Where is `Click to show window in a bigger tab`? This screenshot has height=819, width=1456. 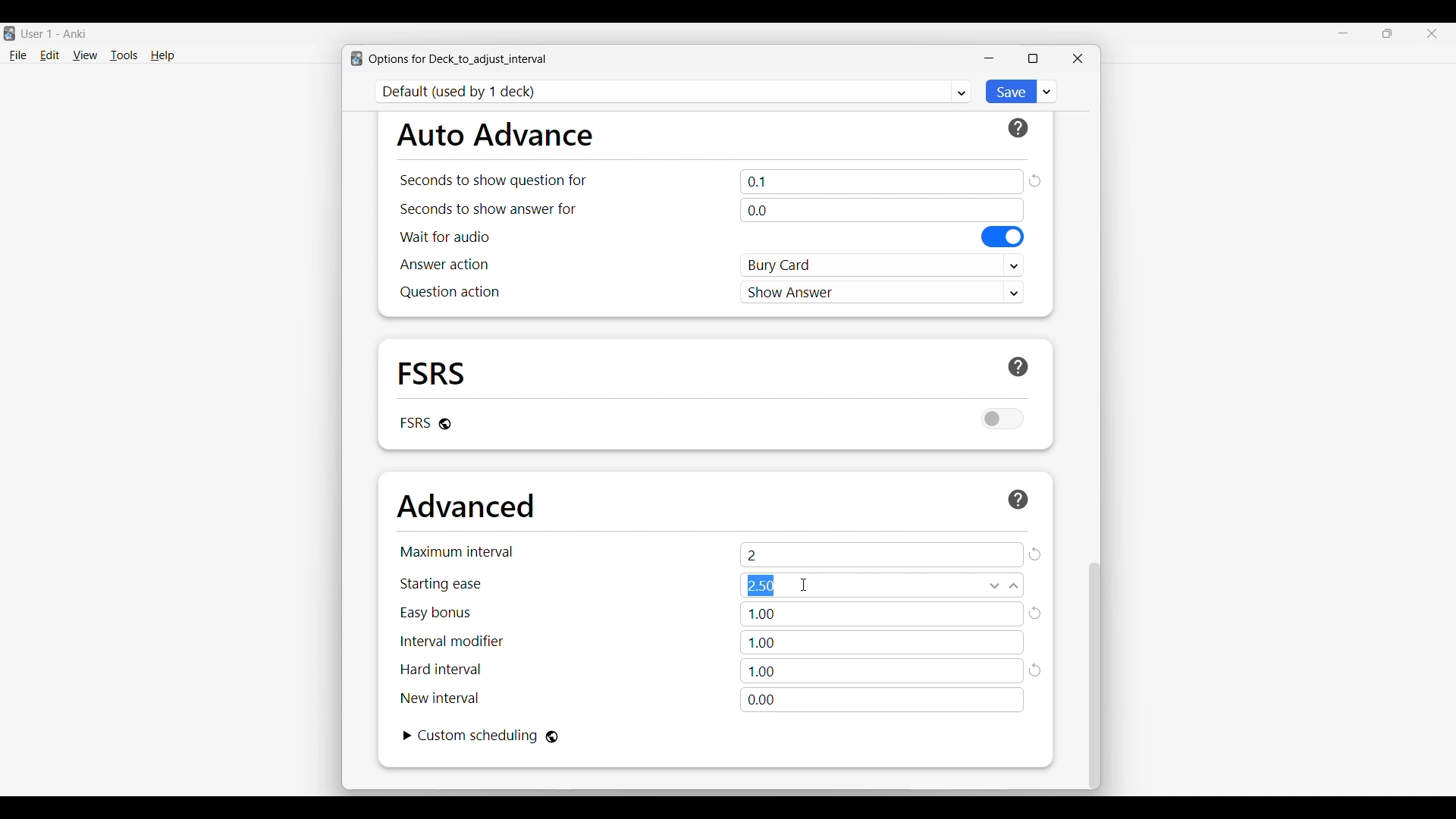
Click to show window in a bigger tab is located at coordinates (1033, 58).